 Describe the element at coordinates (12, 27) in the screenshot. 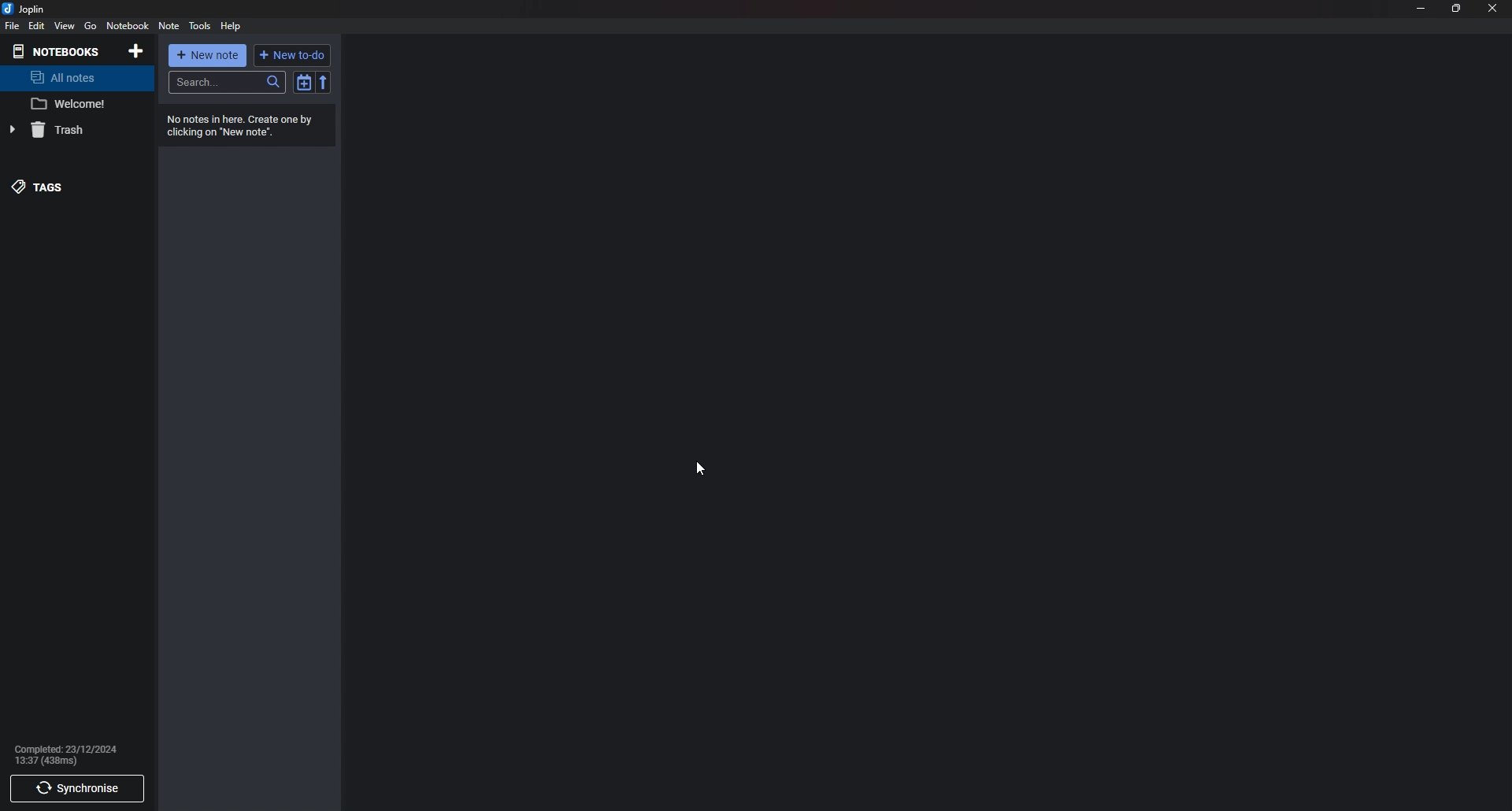

I see `File` at that location.